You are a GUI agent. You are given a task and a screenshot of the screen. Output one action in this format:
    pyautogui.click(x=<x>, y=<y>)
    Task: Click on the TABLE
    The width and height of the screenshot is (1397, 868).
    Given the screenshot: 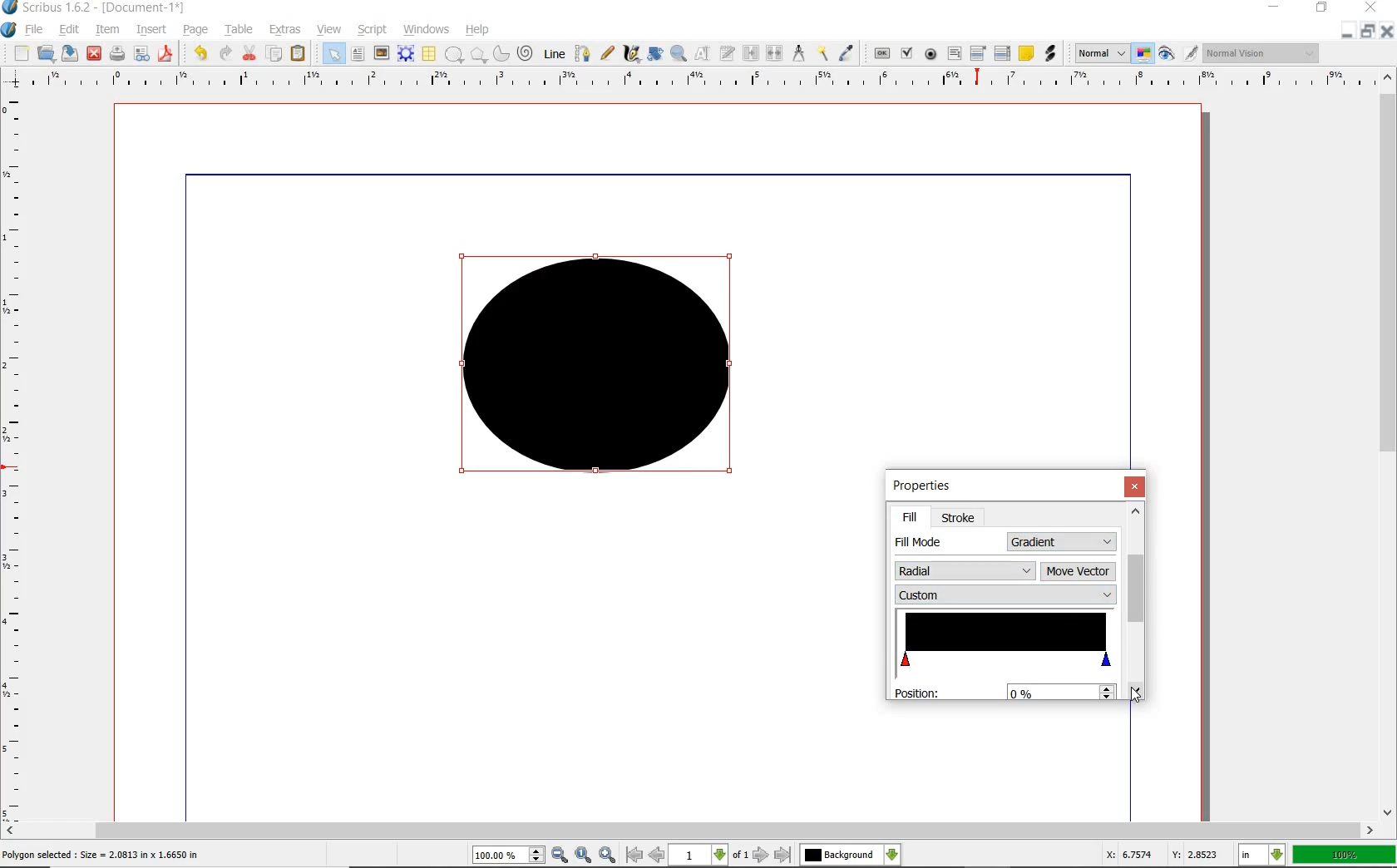 What is the action you would take?
    pyautogui.click(x=239, y=30)
    